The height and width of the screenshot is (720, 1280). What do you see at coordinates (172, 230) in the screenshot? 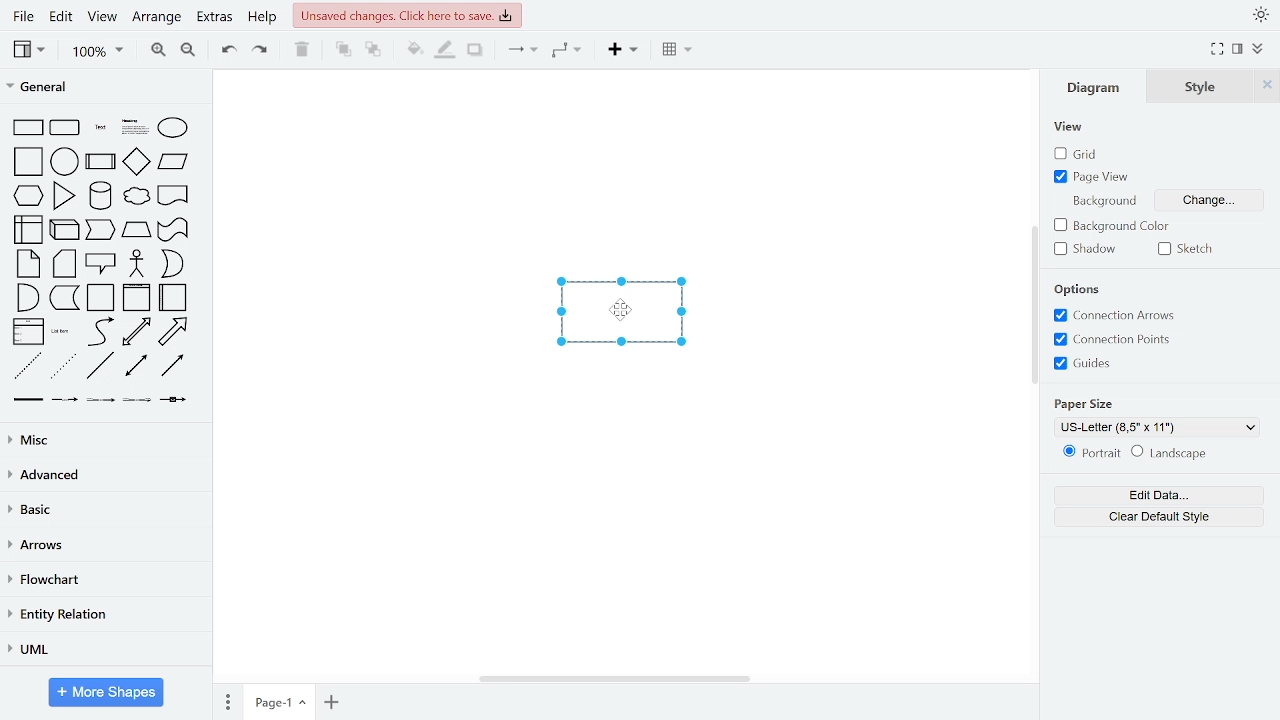
I see `general shapes` at bounding box center [172, 230].